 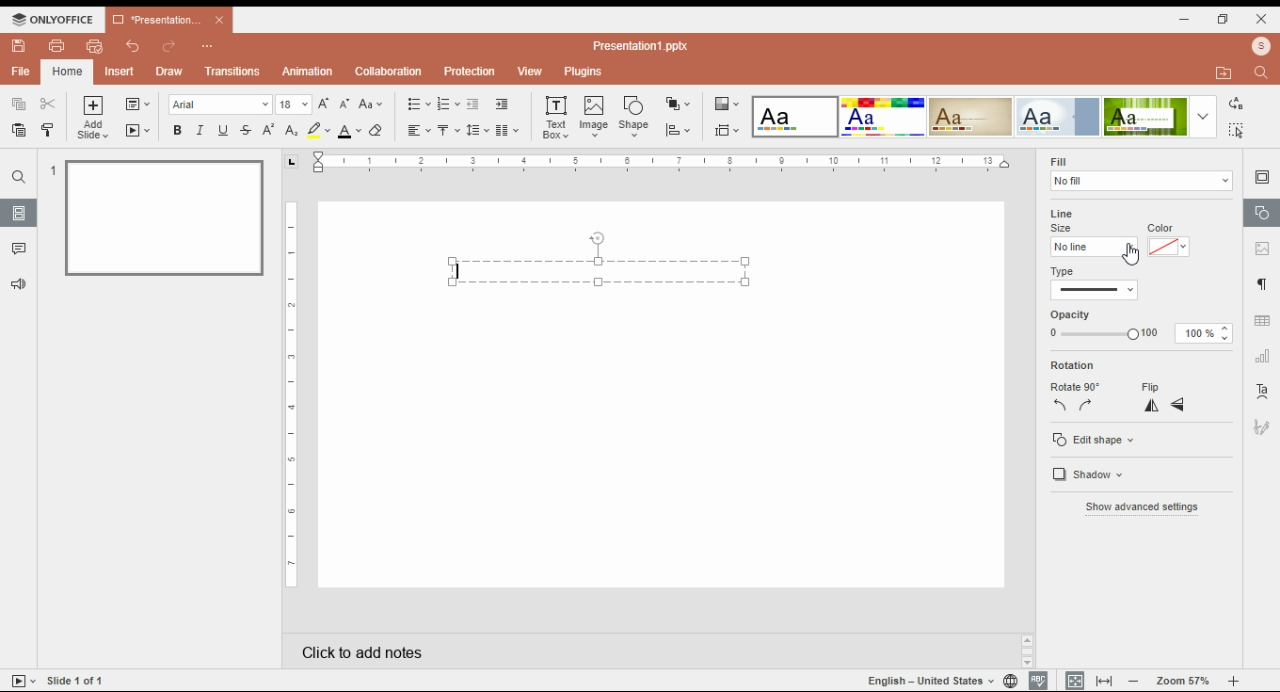 I want to click on close window, so click(x=1260, y=18).